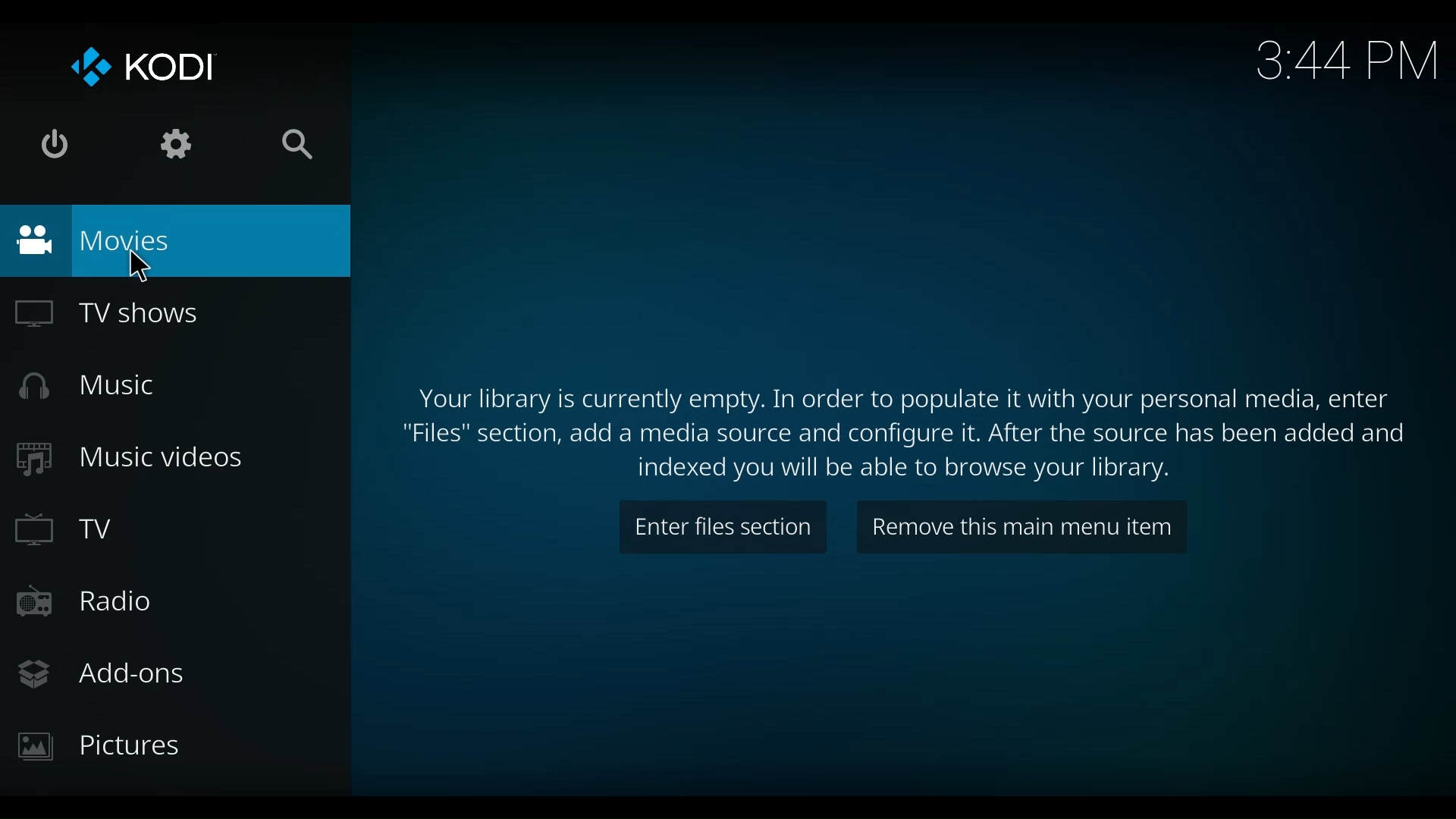 The width and height of the screenshot is (1456, 819). Describe the element at coordinates (55, 145) in the screenshot. I see `Power options` at that location.